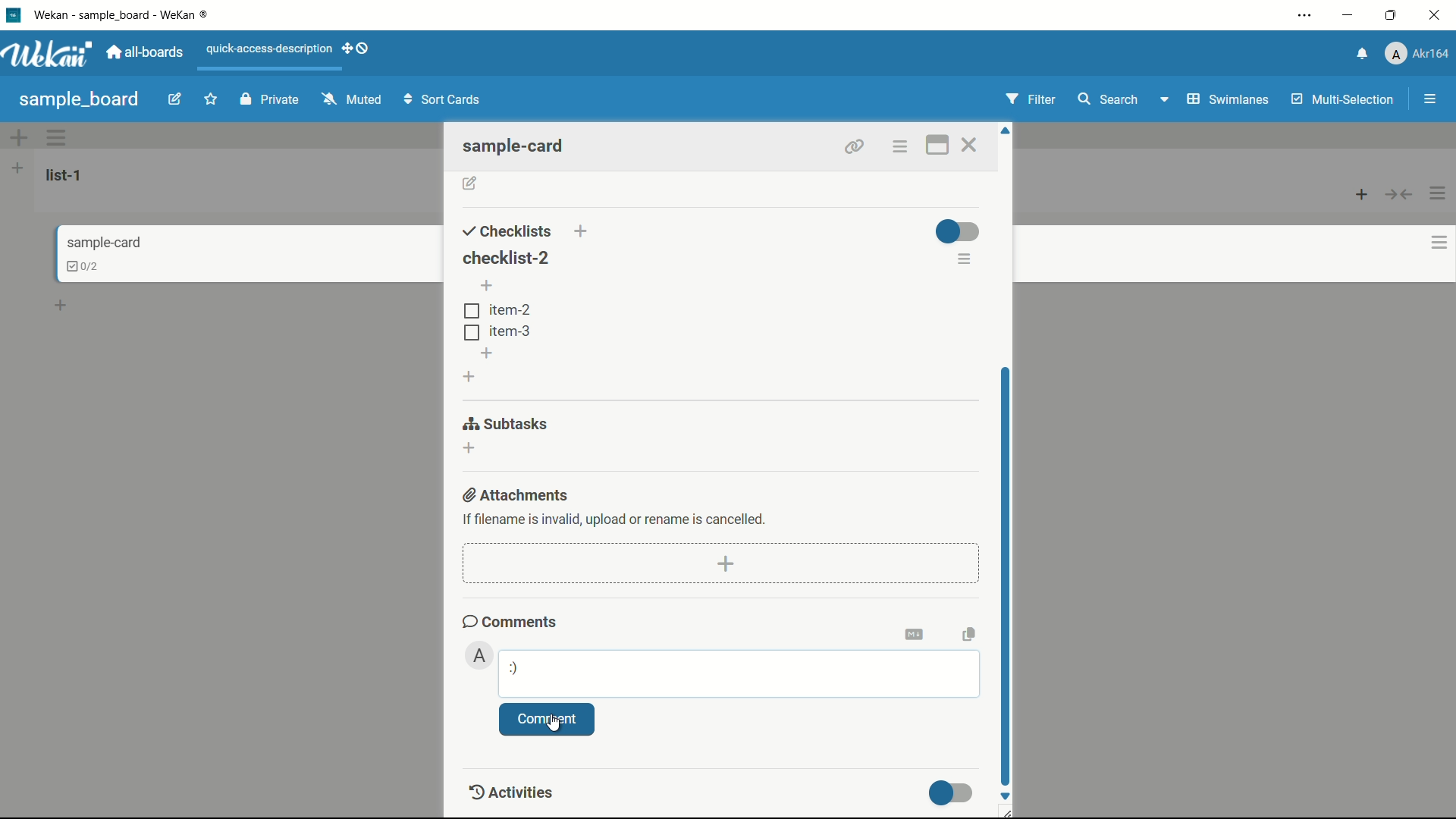 The height and width of the screenshot is (819, 1456). I want to click on edit, so click(177, 101).